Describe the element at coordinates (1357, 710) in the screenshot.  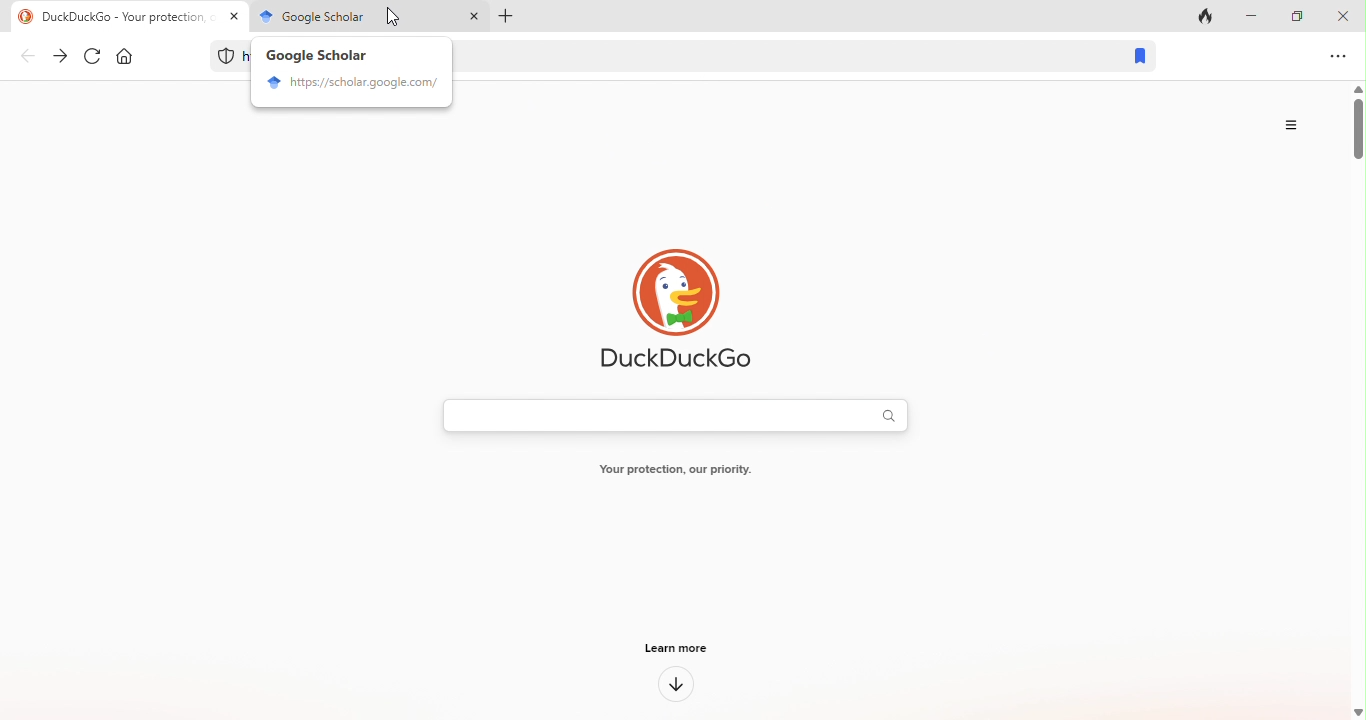
I see `move down` at that location.